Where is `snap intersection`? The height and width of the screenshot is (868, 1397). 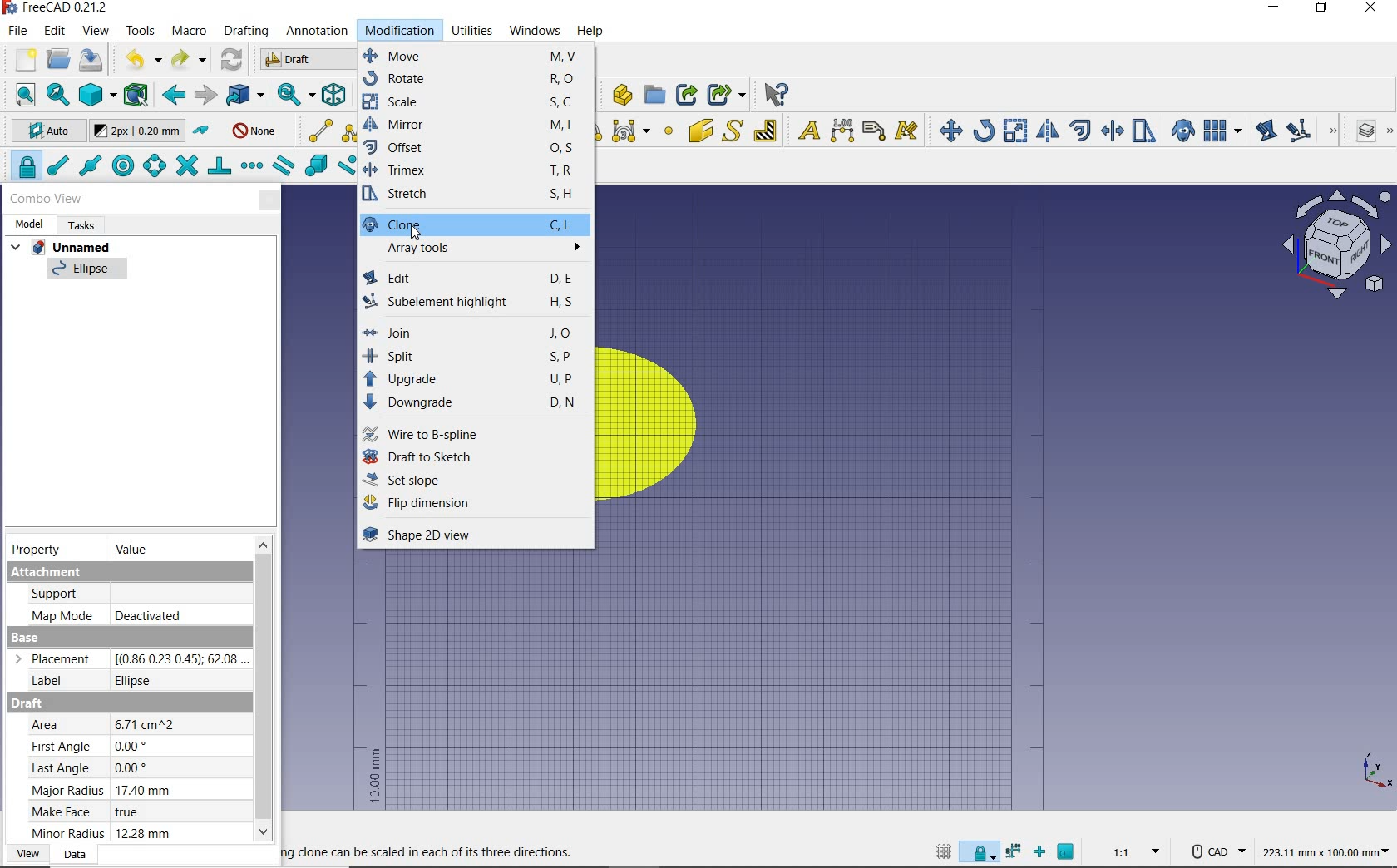 snap intersection is located at coordinates (185, 167).